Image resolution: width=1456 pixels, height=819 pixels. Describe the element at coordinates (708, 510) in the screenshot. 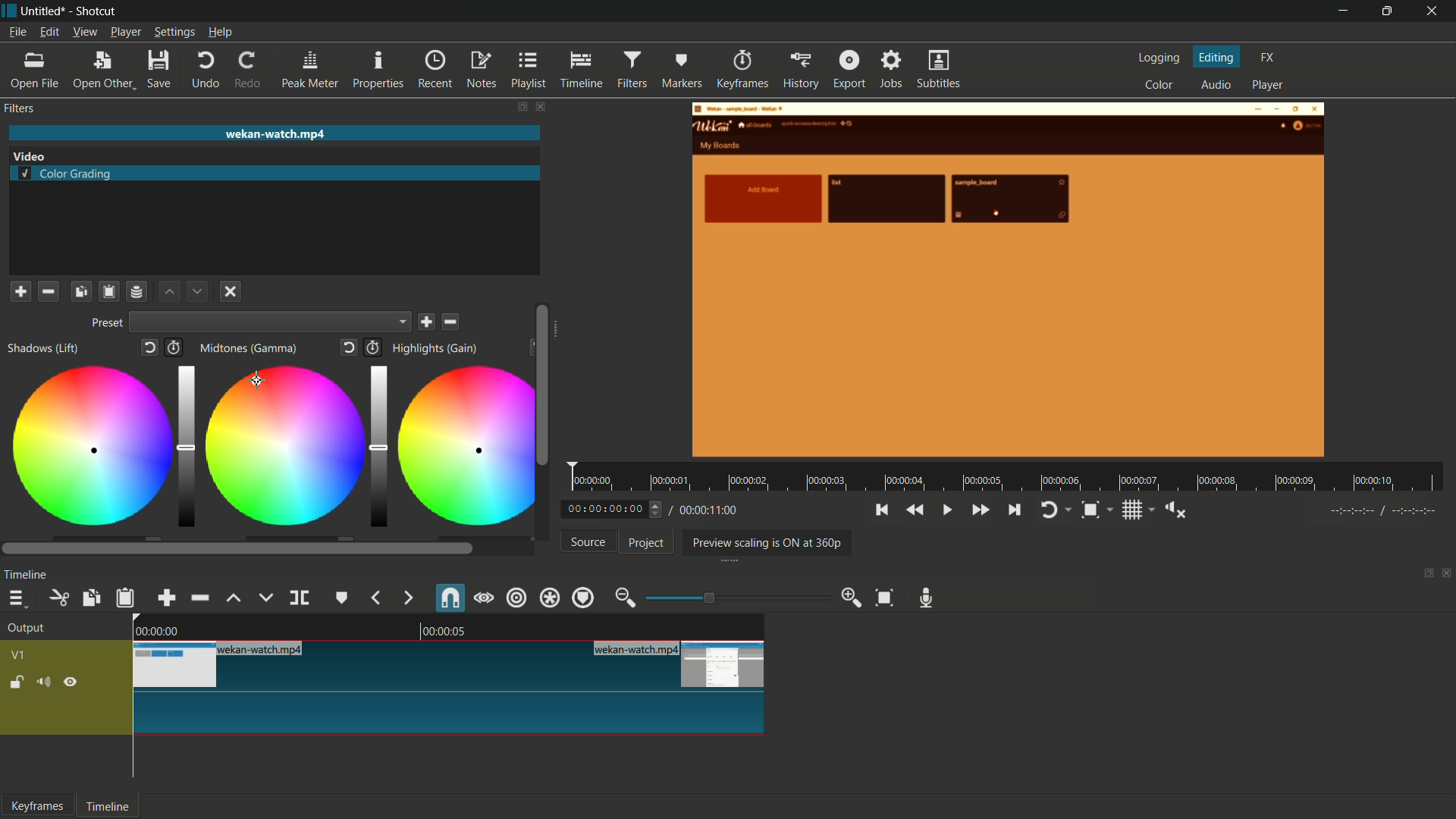

I see `total time` at that location.